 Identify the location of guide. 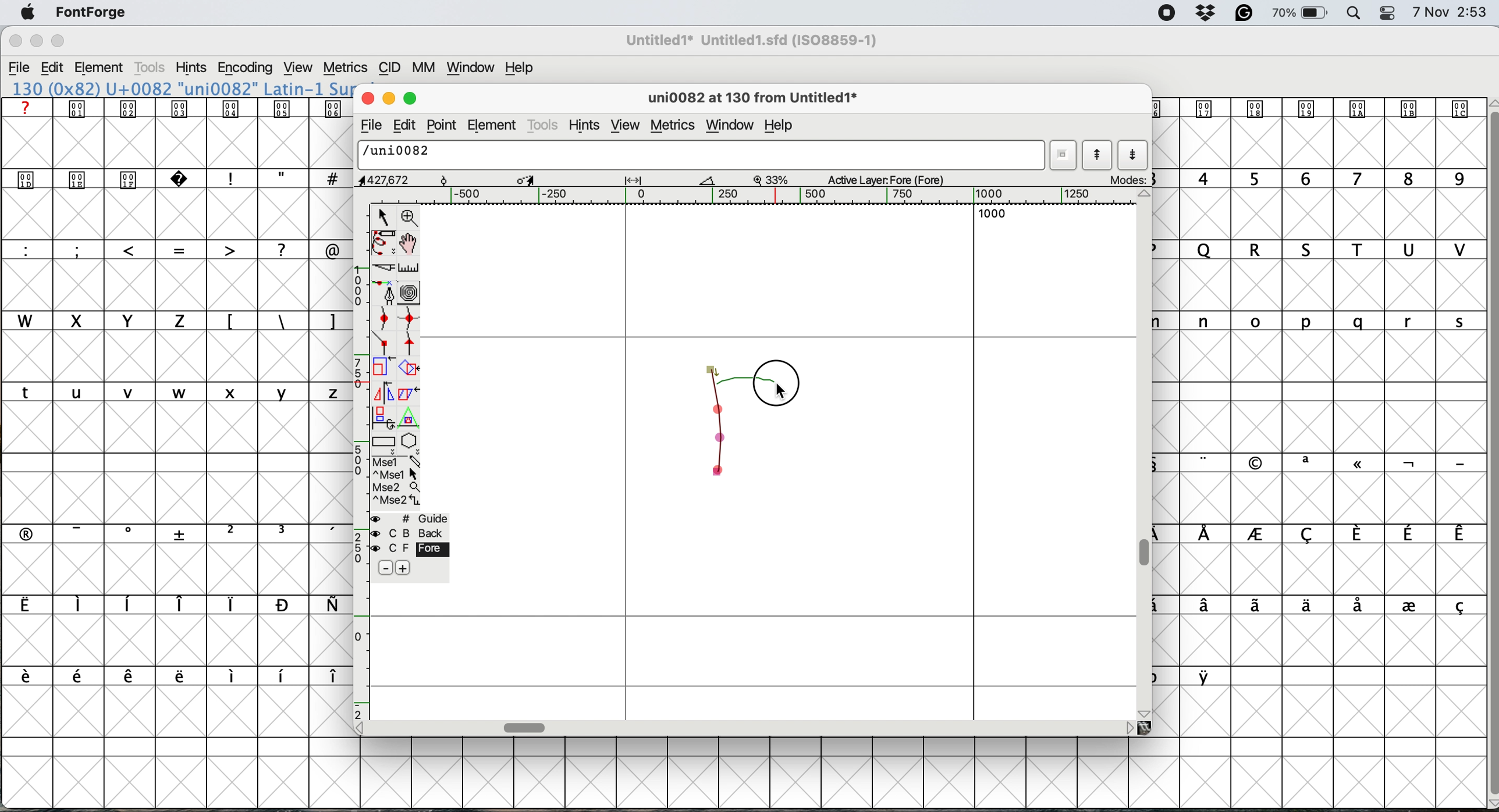
(413, 518).